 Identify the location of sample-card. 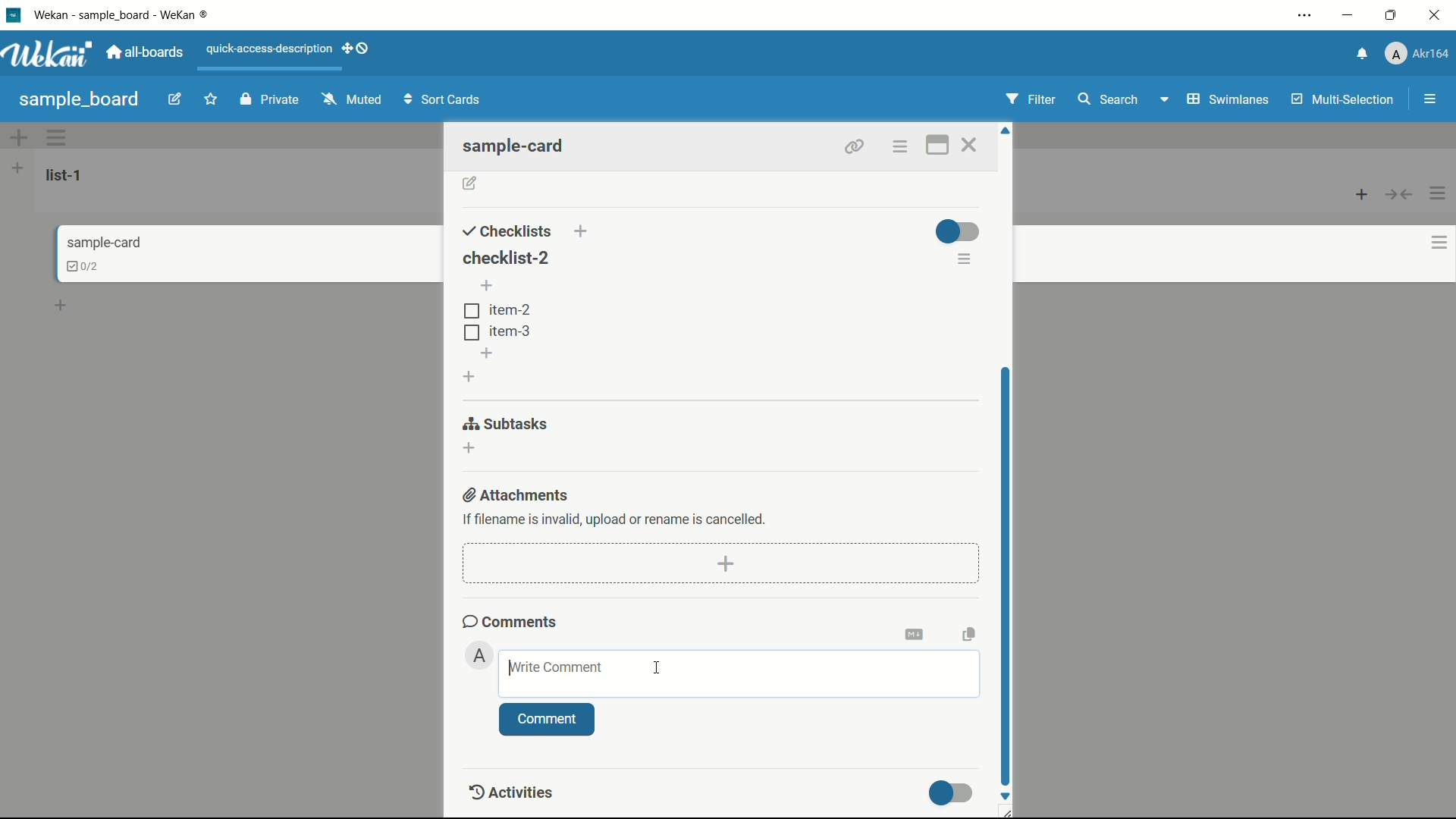
(521, 146).